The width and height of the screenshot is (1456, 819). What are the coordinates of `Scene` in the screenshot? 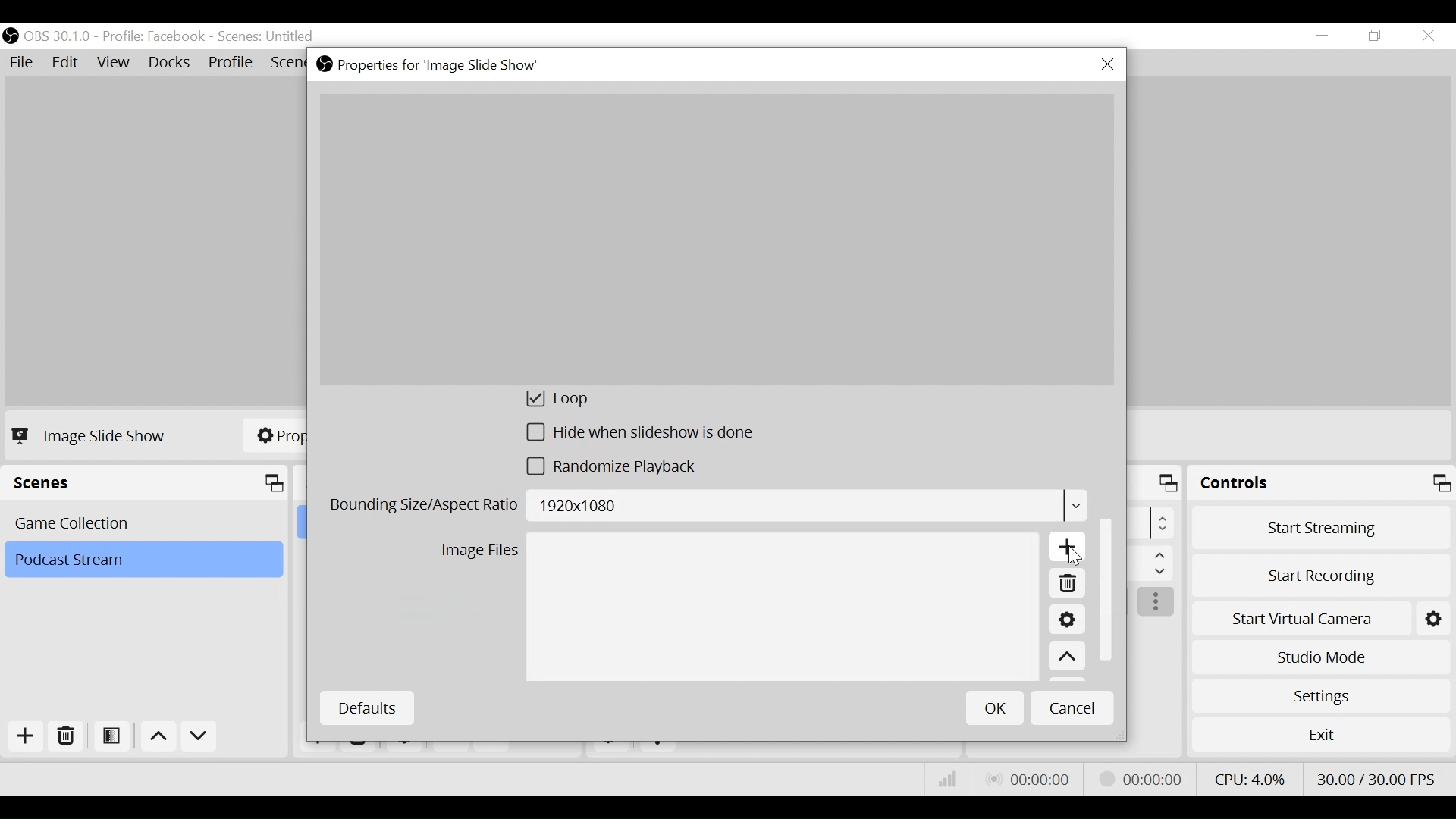 It's located at (146, 522).